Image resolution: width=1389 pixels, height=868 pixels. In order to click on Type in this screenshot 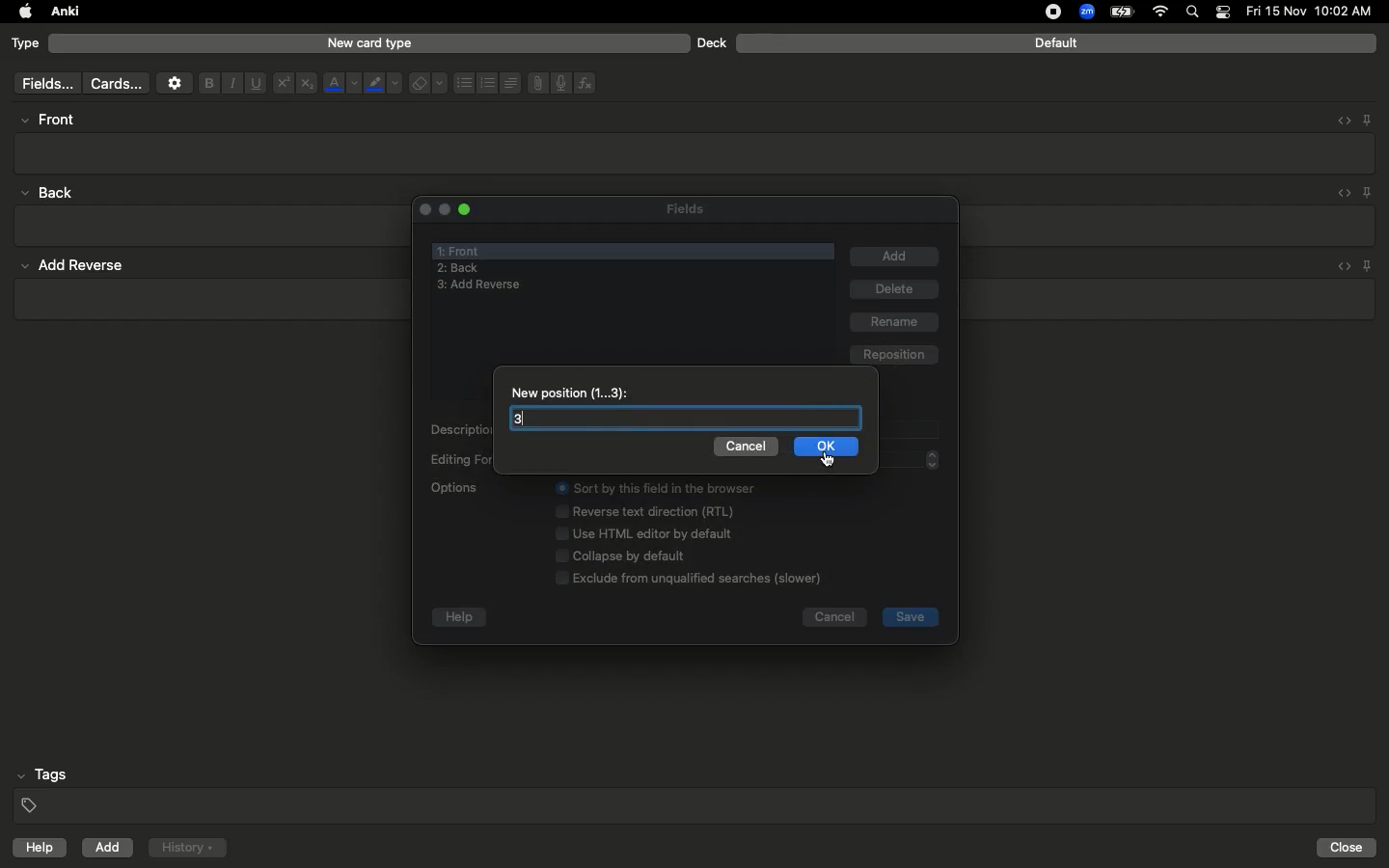, I will do `click(26, 44)`.